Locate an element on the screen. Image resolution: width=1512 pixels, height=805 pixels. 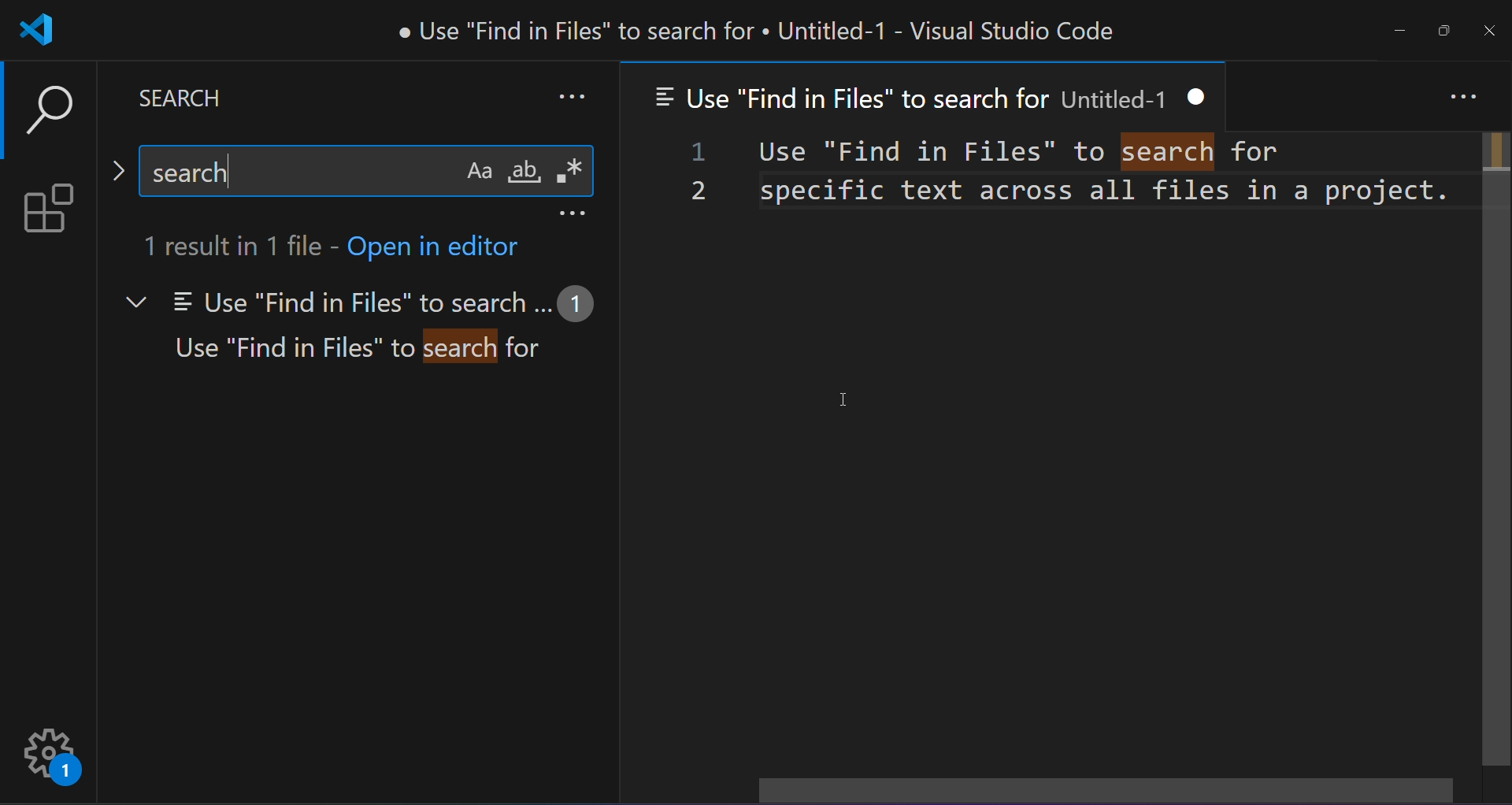
maximize is located at coordinates (1445, 31).